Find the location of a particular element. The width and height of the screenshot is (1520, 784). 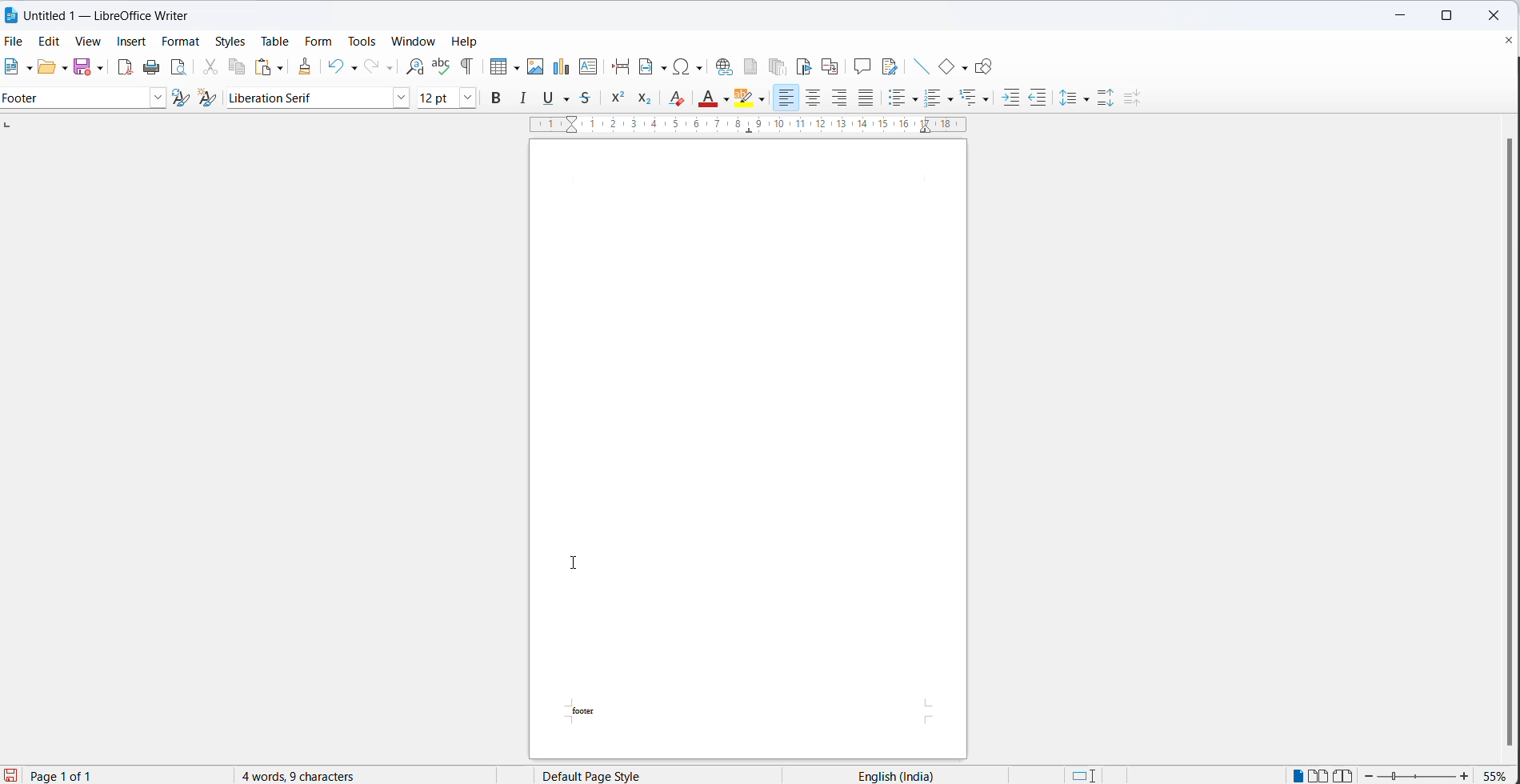

text align center is located at coordinates (812, 99).